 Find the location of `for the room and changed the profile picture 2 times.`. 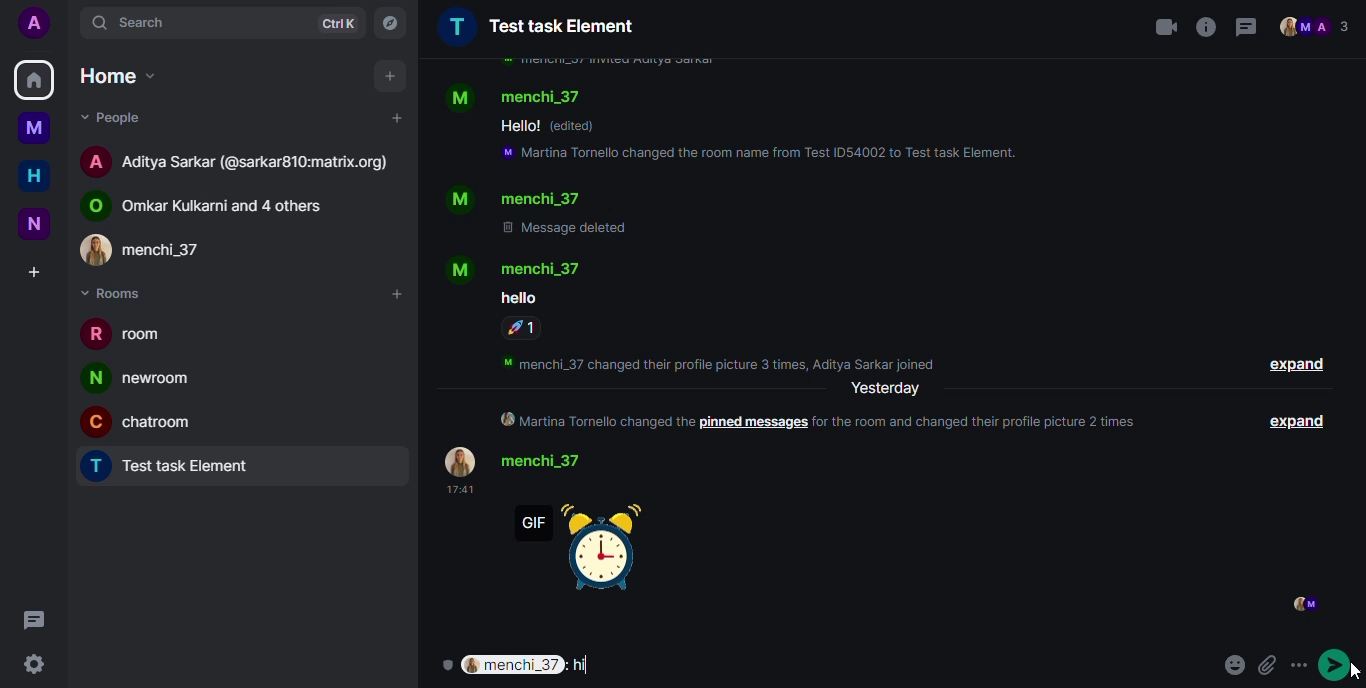

for the room and changed the profile picture 2 times. is located at coordinates (984, 421).